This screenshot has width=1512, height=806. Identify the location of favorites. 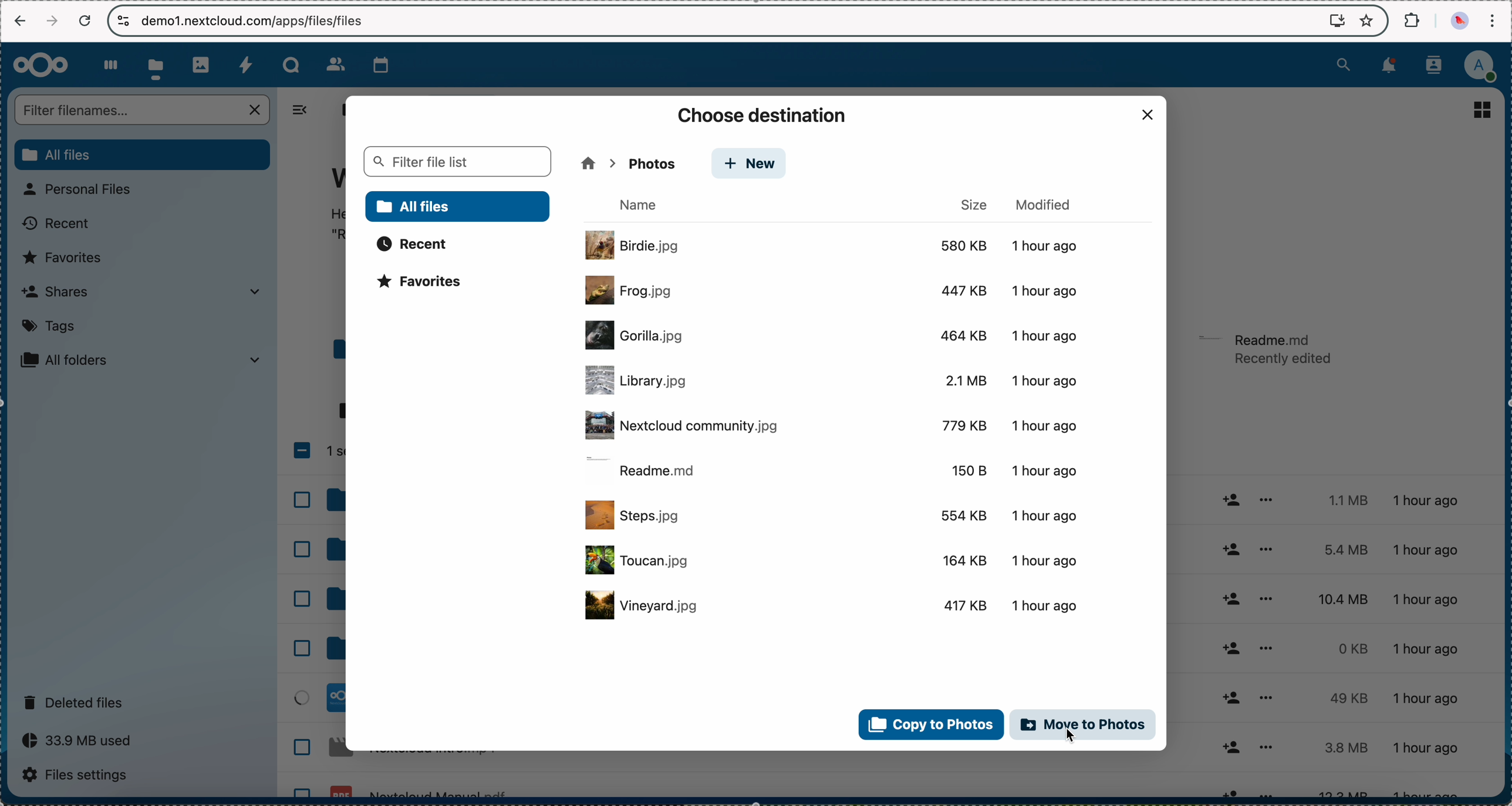
(1365, 20).